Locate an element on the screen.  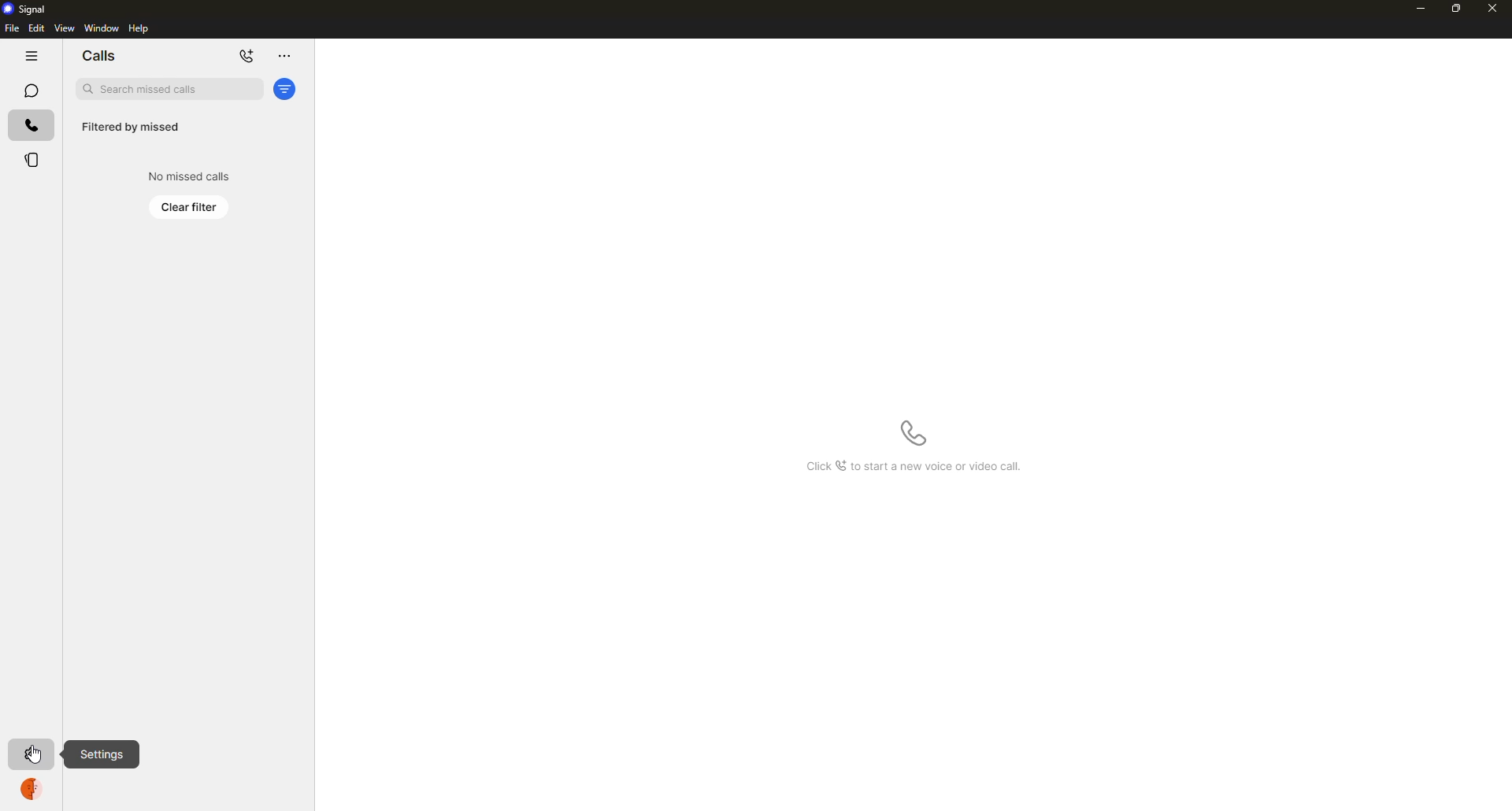
help is located at coordinates (139, 28).